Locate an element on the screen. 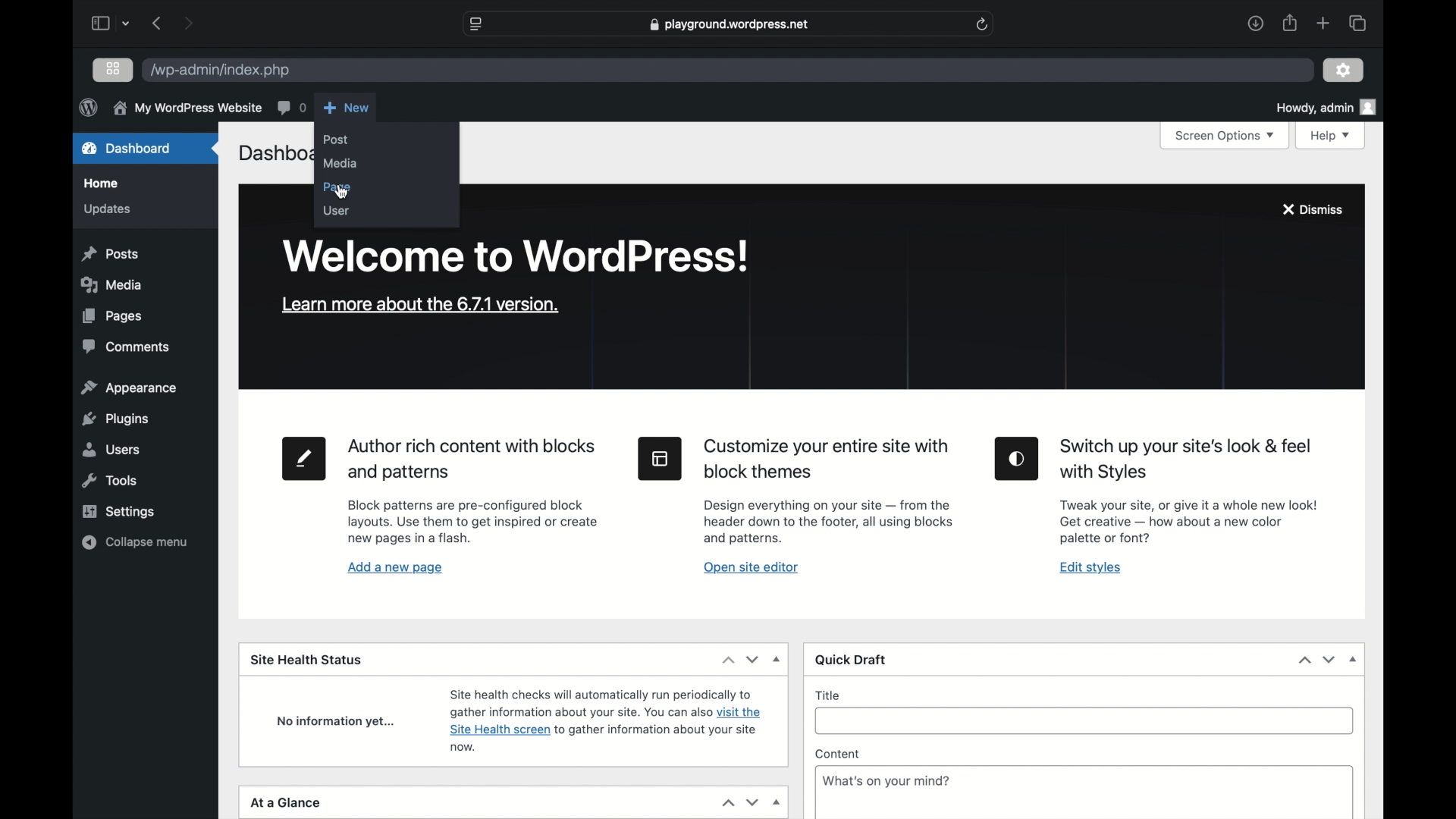 The height and width of the screenshot is (819, 1456). stepper button is located at coordinates (740, 660).